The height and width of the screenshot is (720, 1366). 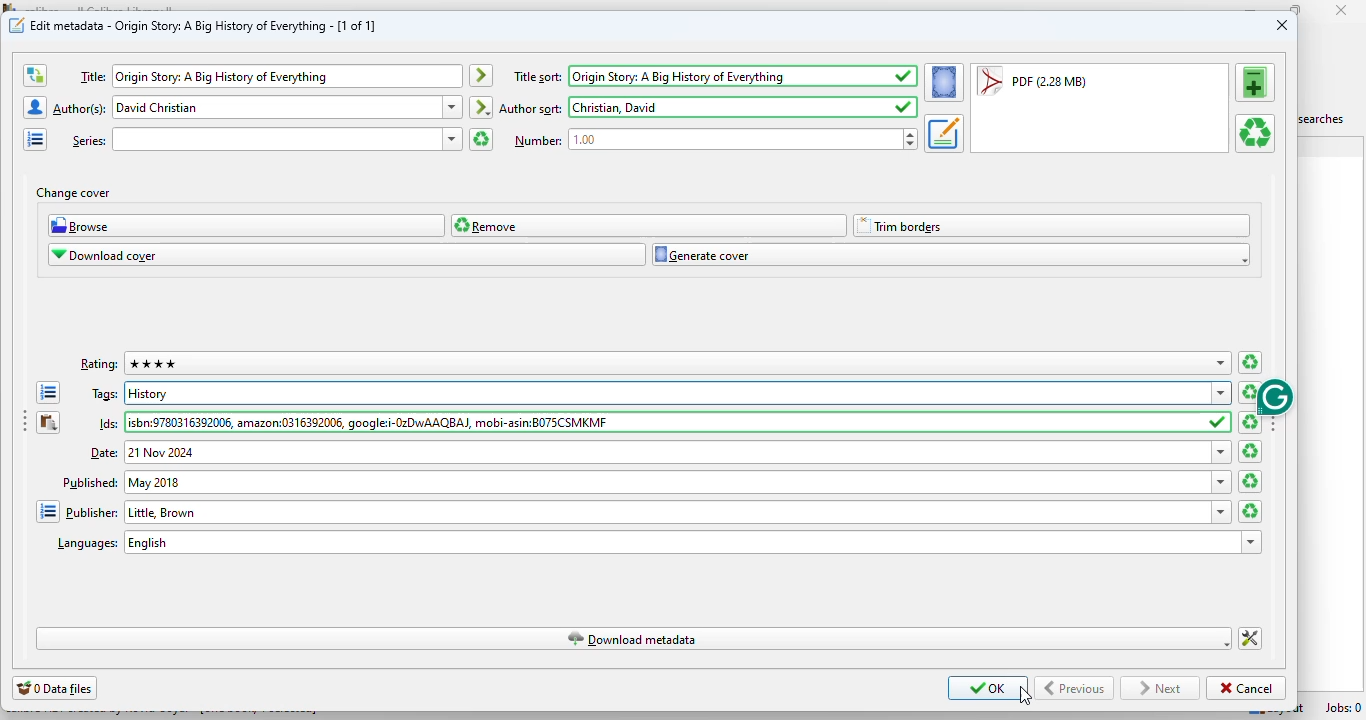 I want to click on dropdown, so click(x=1252, y=543).